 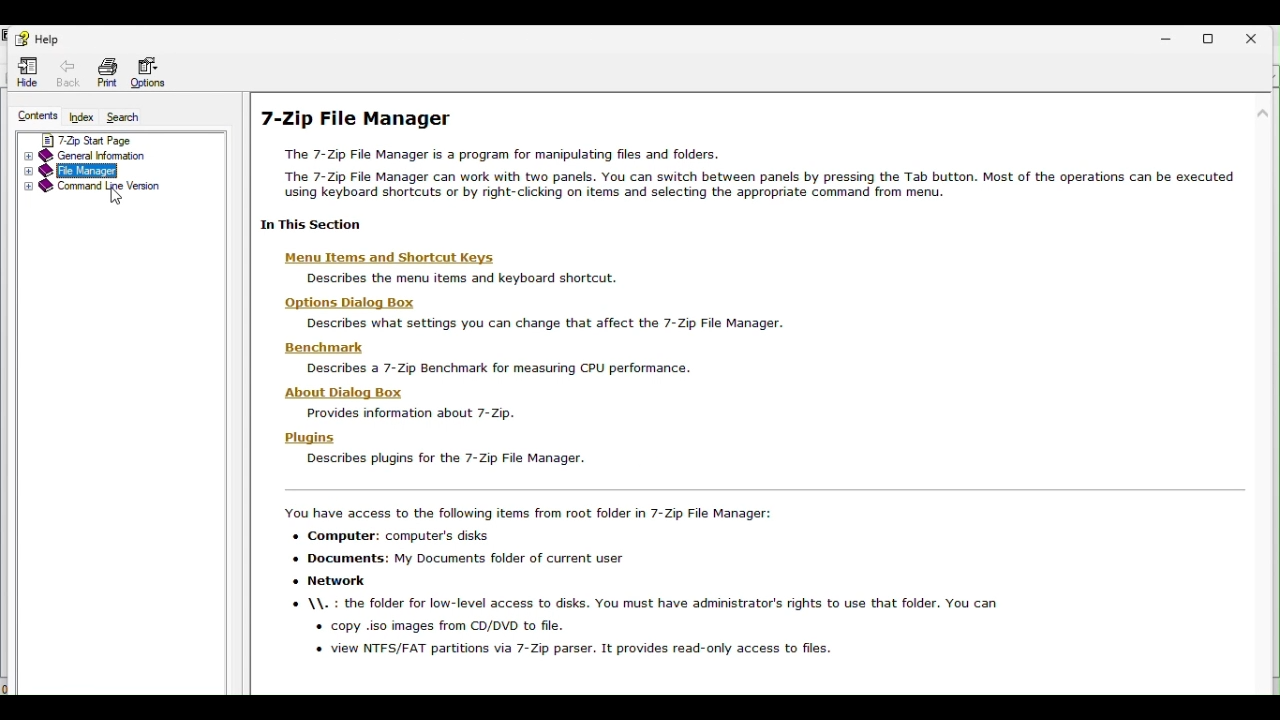 What do you see at coordinates (393, 258) in the screenshot?
I see `‘Menu Items and Shortcut Keys` at bounding box center [393, 258].